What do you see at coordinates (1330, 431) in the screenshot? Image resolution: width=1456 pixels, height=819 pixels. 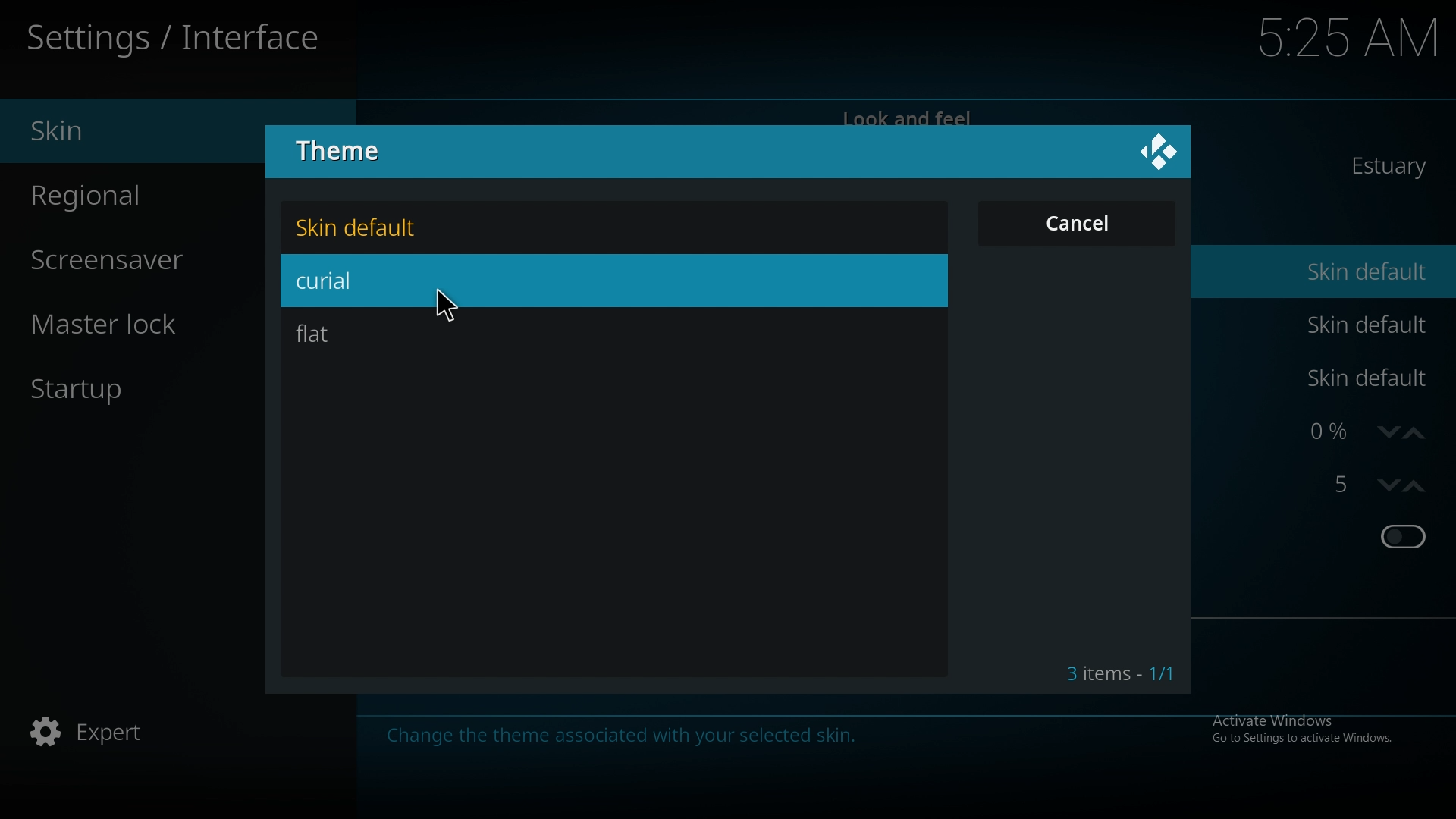 I see `zoom` at bounding box center [1330, 431].